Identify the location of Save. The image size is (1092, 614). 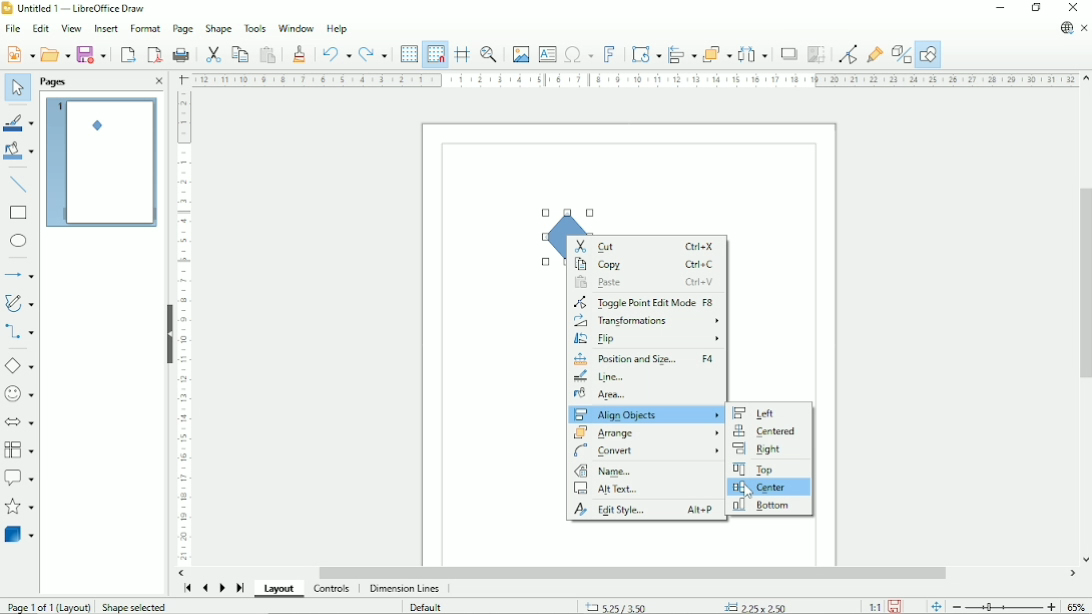
(93, 54).